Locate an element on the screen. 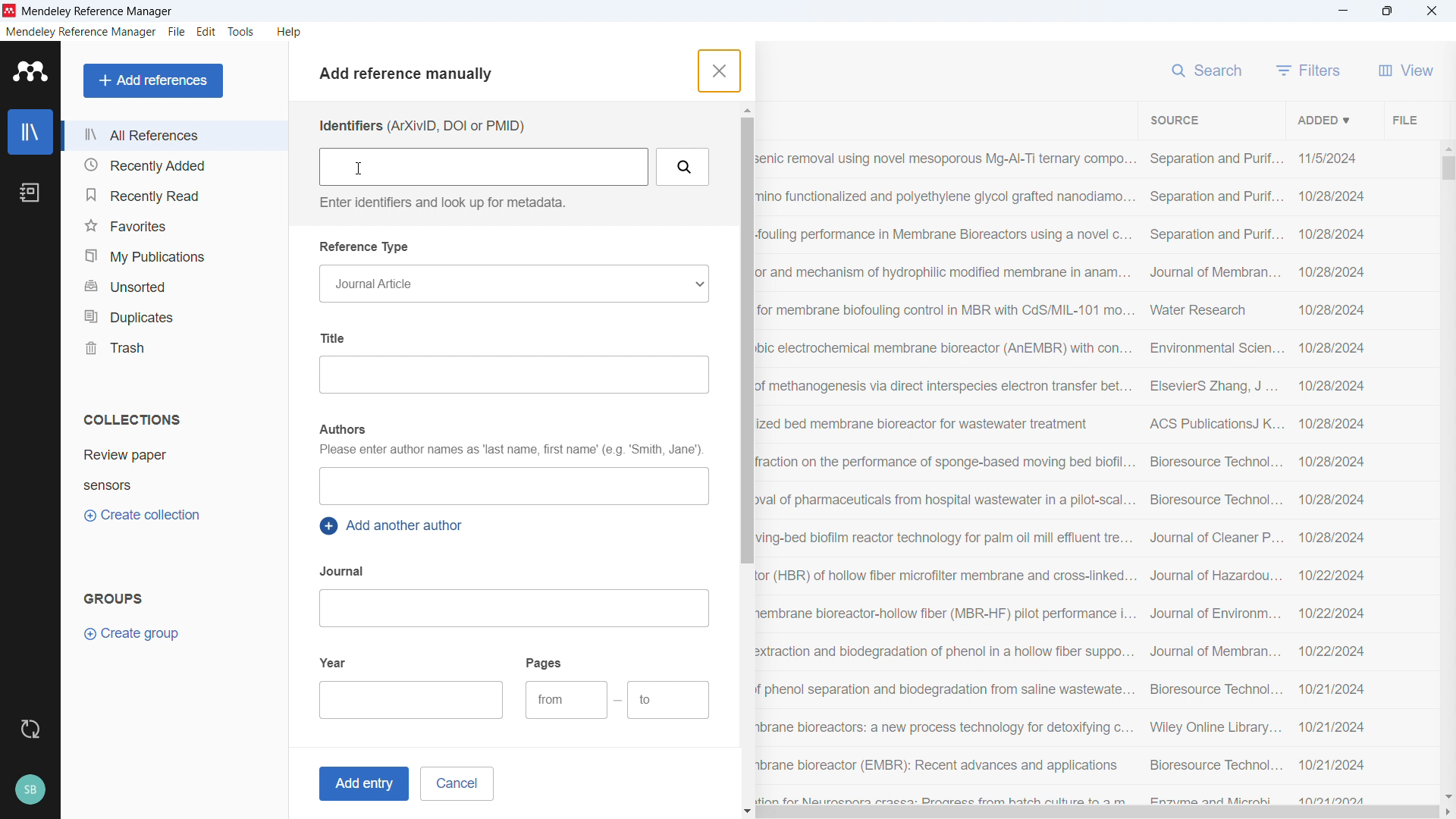 This screenshot has height=819, width=1456. Duplicates  is located at coordinates (174, 315).